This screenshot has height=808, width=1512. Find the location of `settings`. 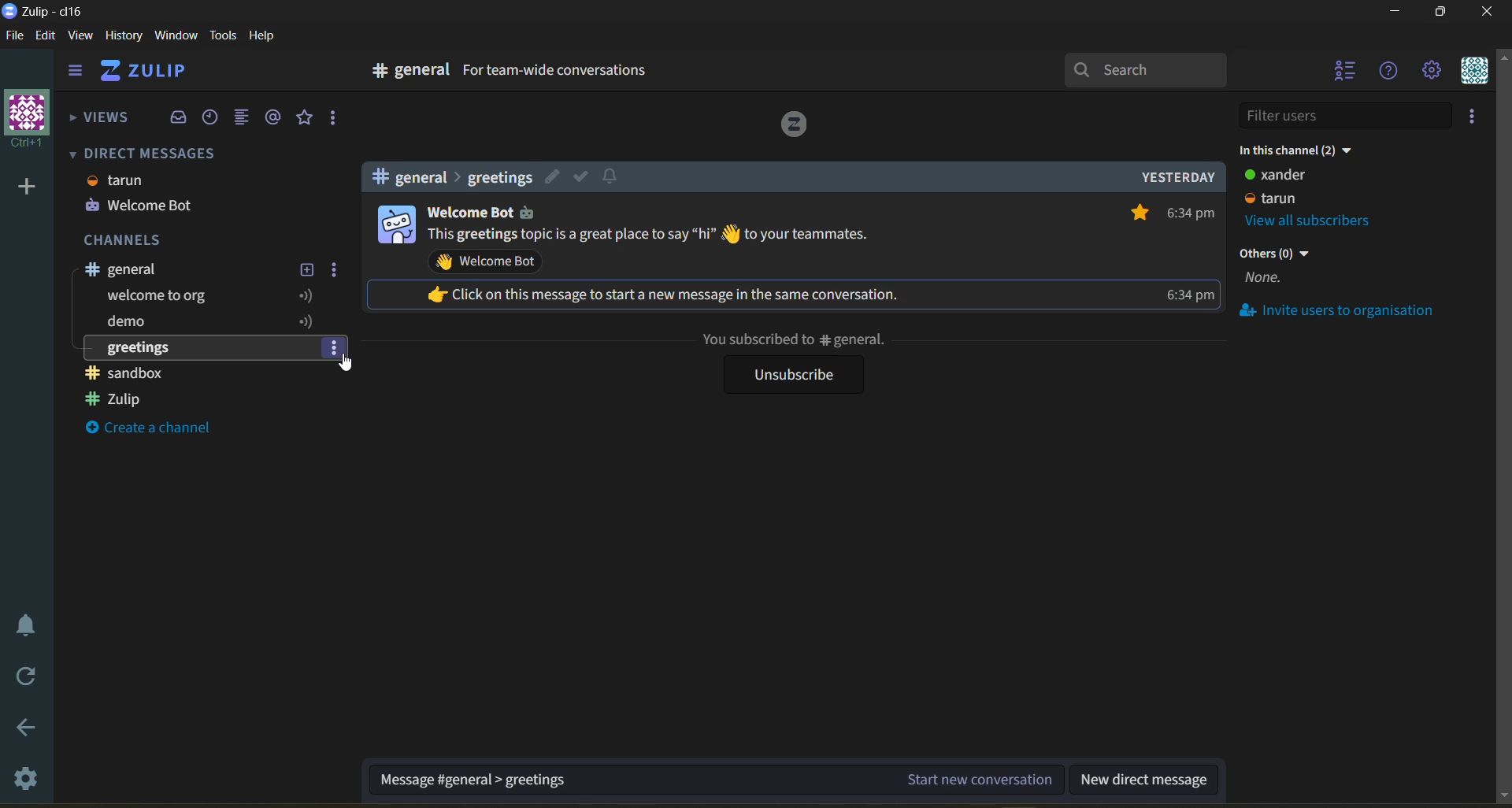

settings is located at coordinates (335, 270).